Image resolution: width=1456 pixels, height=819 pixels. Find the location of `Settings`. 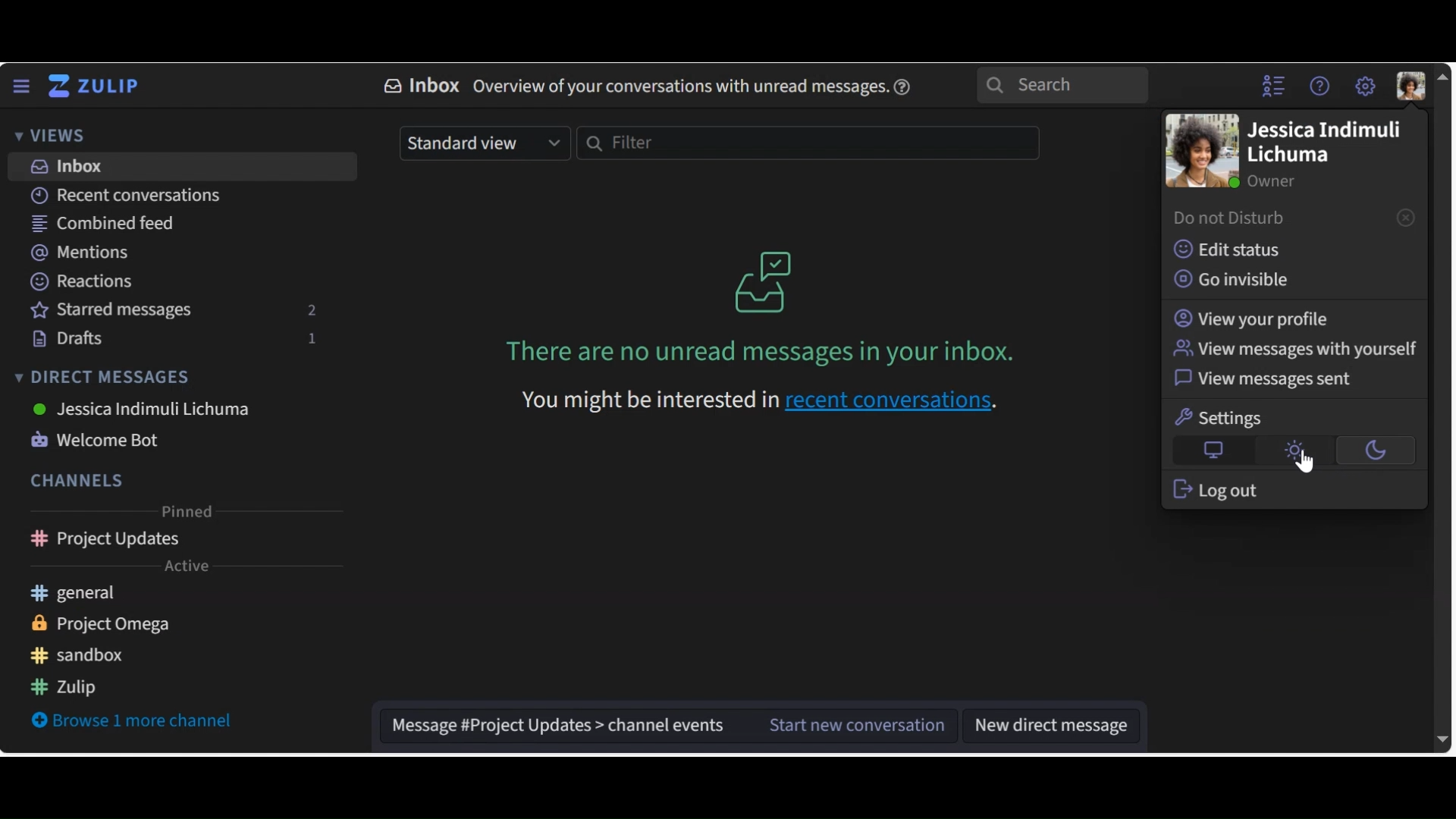

Settings is located at coordinates (1222, 418).